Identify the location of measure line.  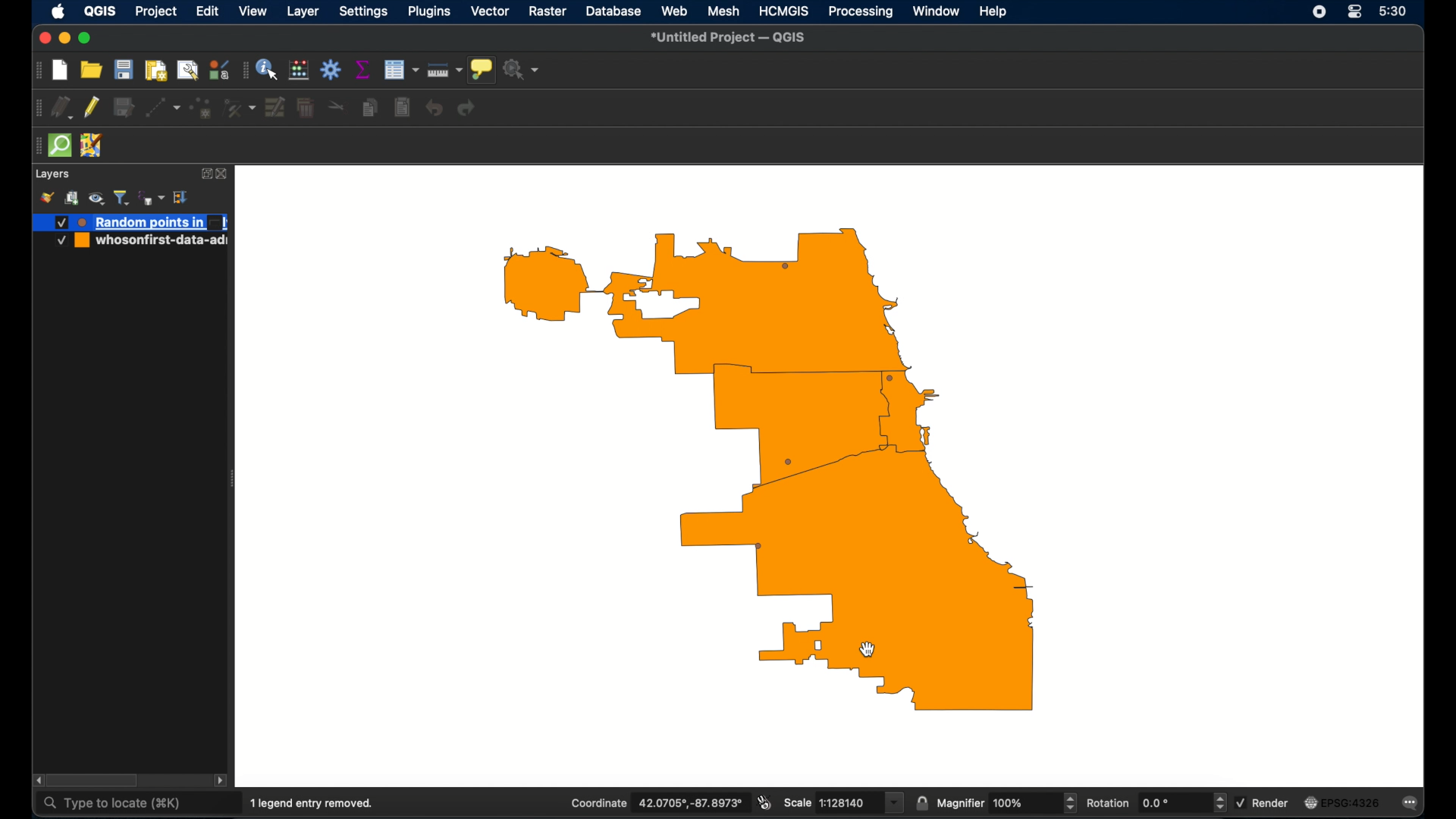
(444, 71).